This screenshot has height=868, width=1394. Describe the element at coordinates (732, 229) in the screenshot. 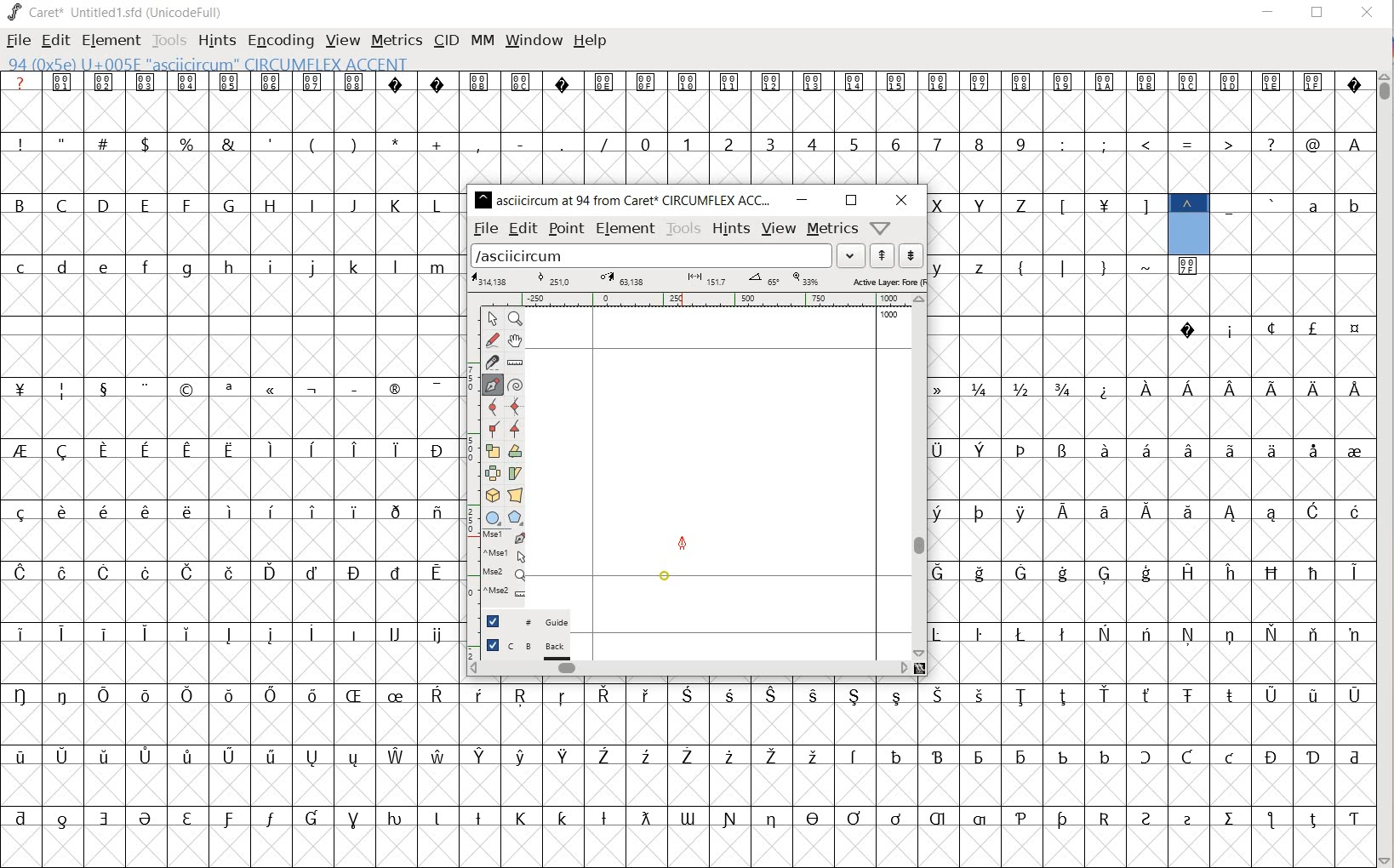

I see `hints` at that location.